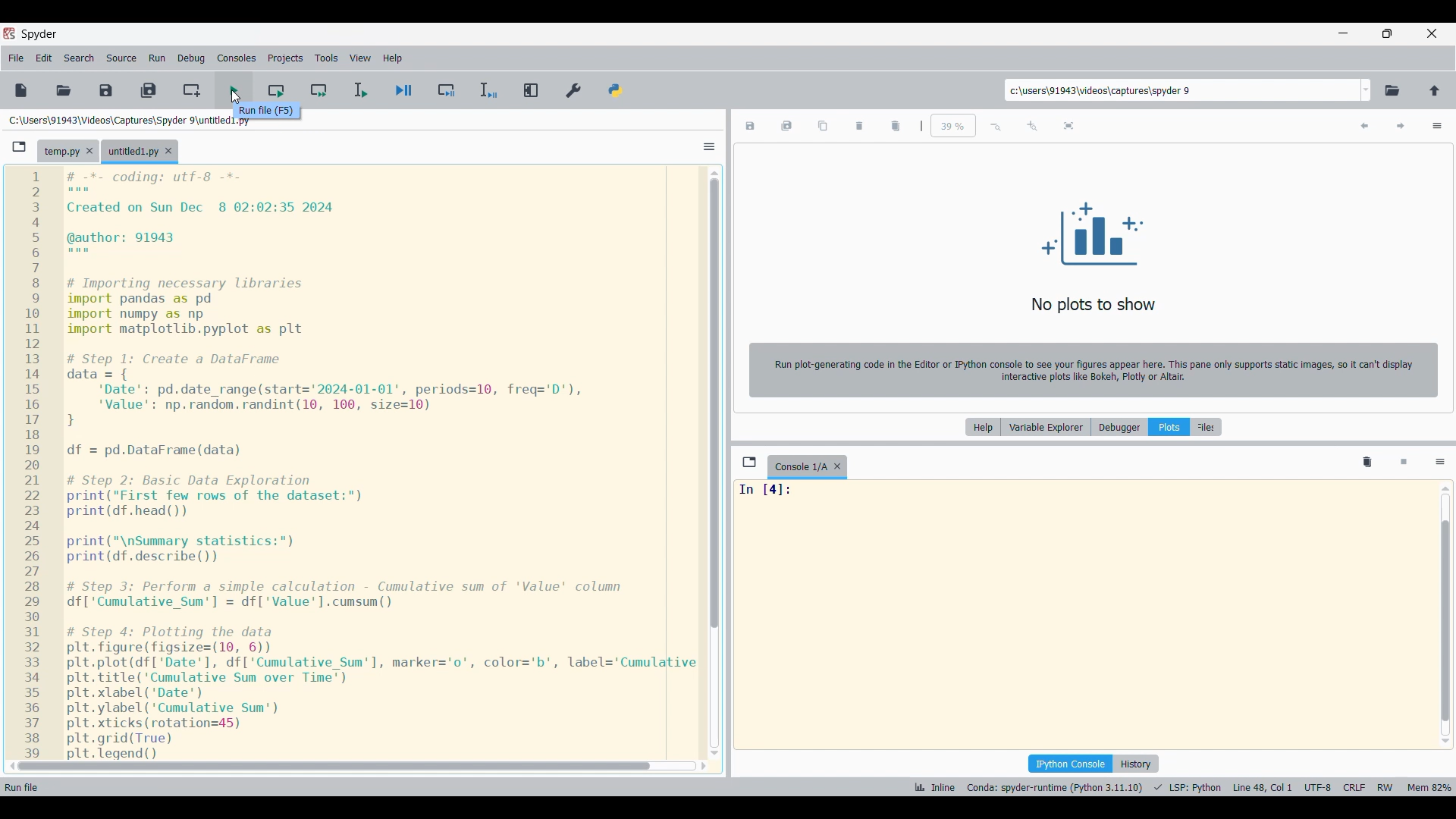  Describe the element at coordinates (404, 90) in the screenshot. I see `Debug file` at that location.